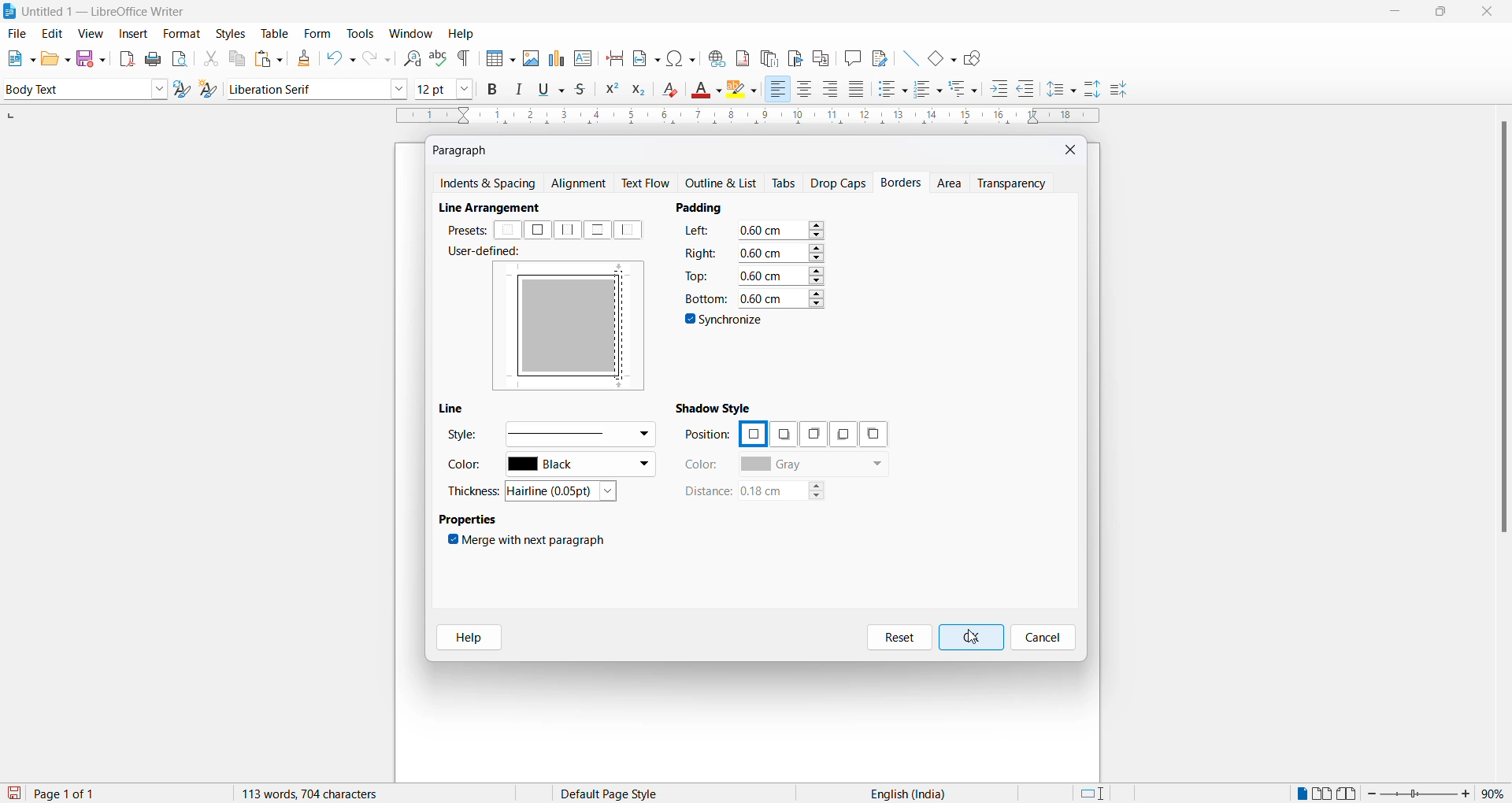 Image resolution: width=1512 pixels, height=803 pixels. Describe the element at coordinates (878, 57) in the screenshot. I see `insert cross-reference` at that location.